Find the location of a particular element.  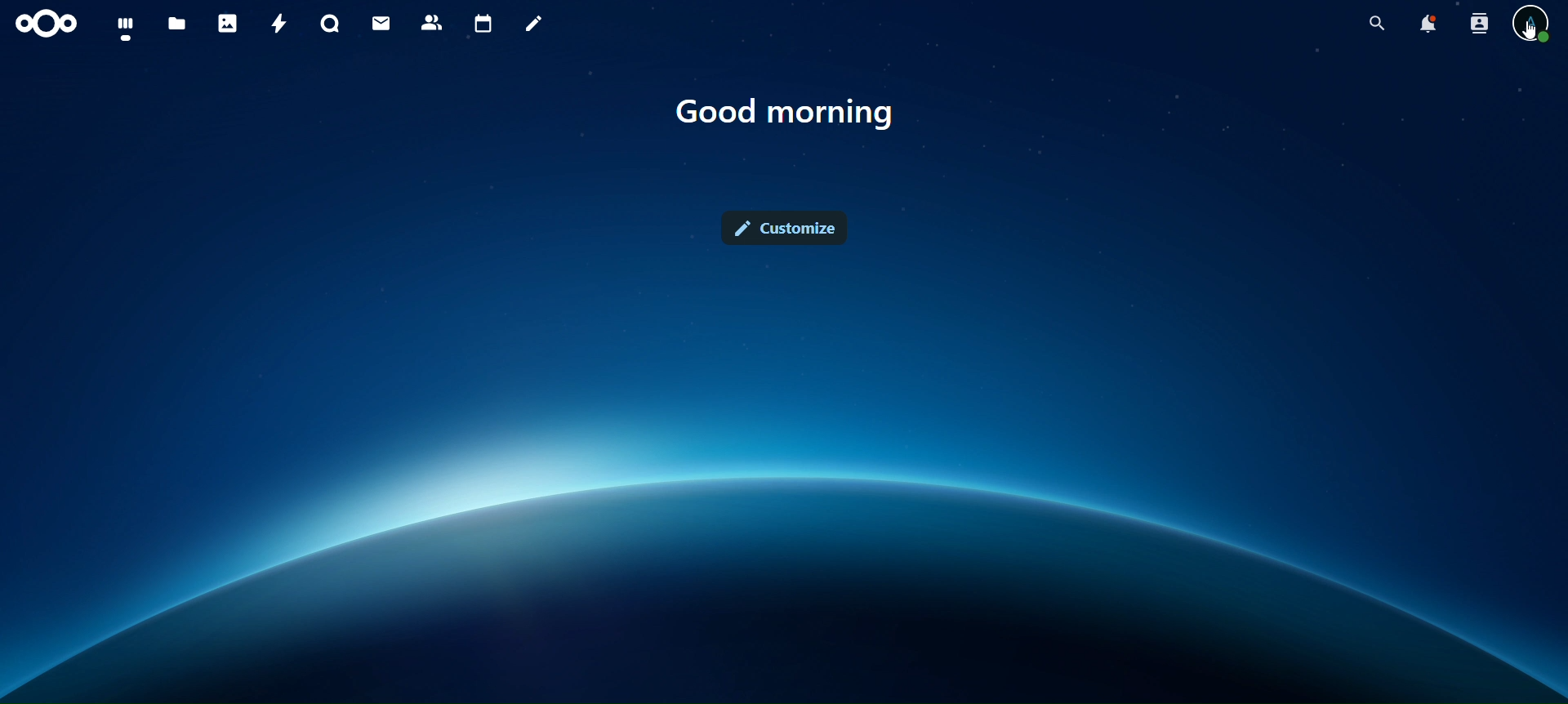

text is located at coordinates (795, 112).